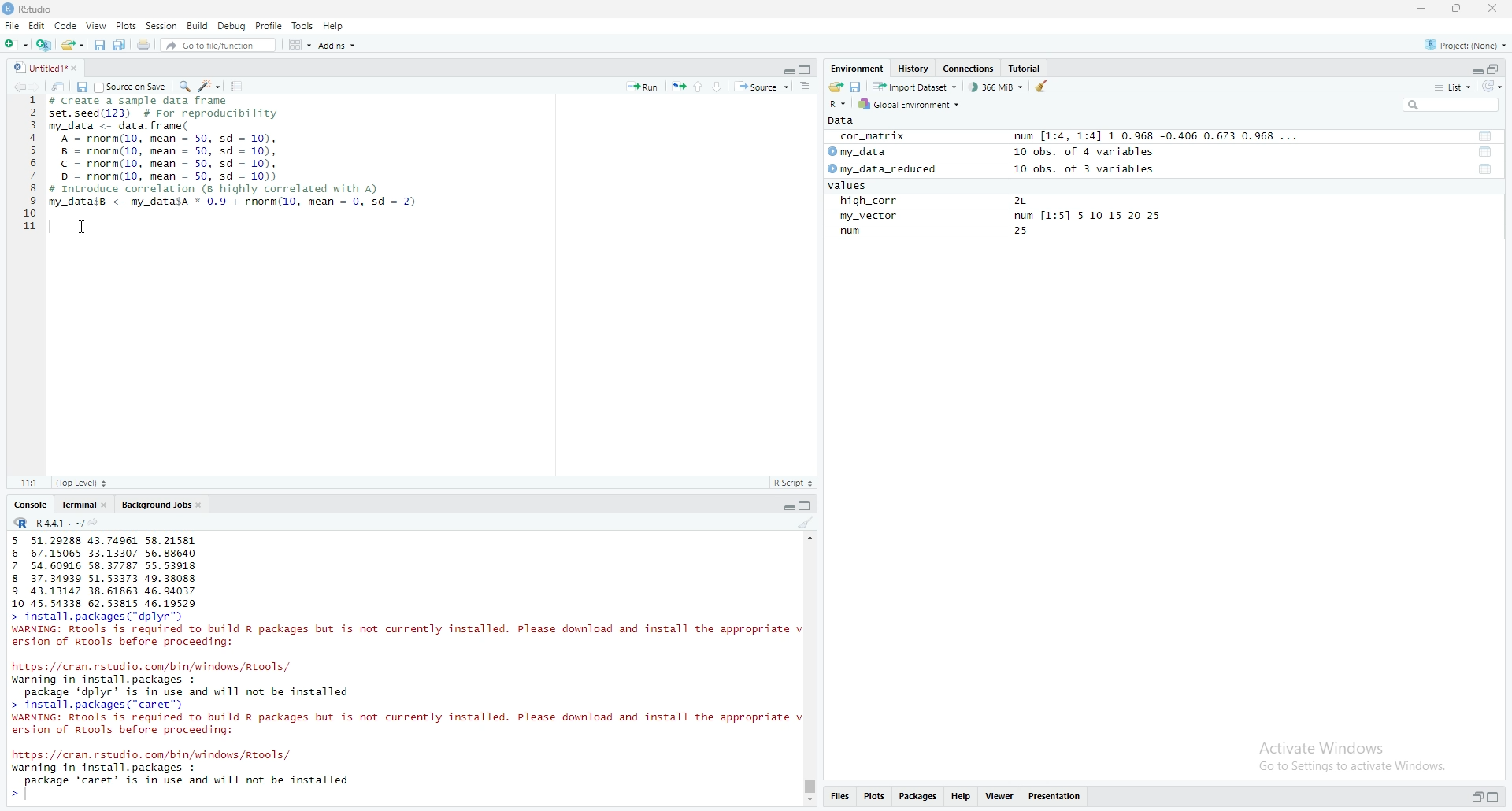 Image resolution: width=1512 pixels, height=811 pixels. Describe the element at coordinates (79, 505) in the screenshot. I see `Terminal` at that location.